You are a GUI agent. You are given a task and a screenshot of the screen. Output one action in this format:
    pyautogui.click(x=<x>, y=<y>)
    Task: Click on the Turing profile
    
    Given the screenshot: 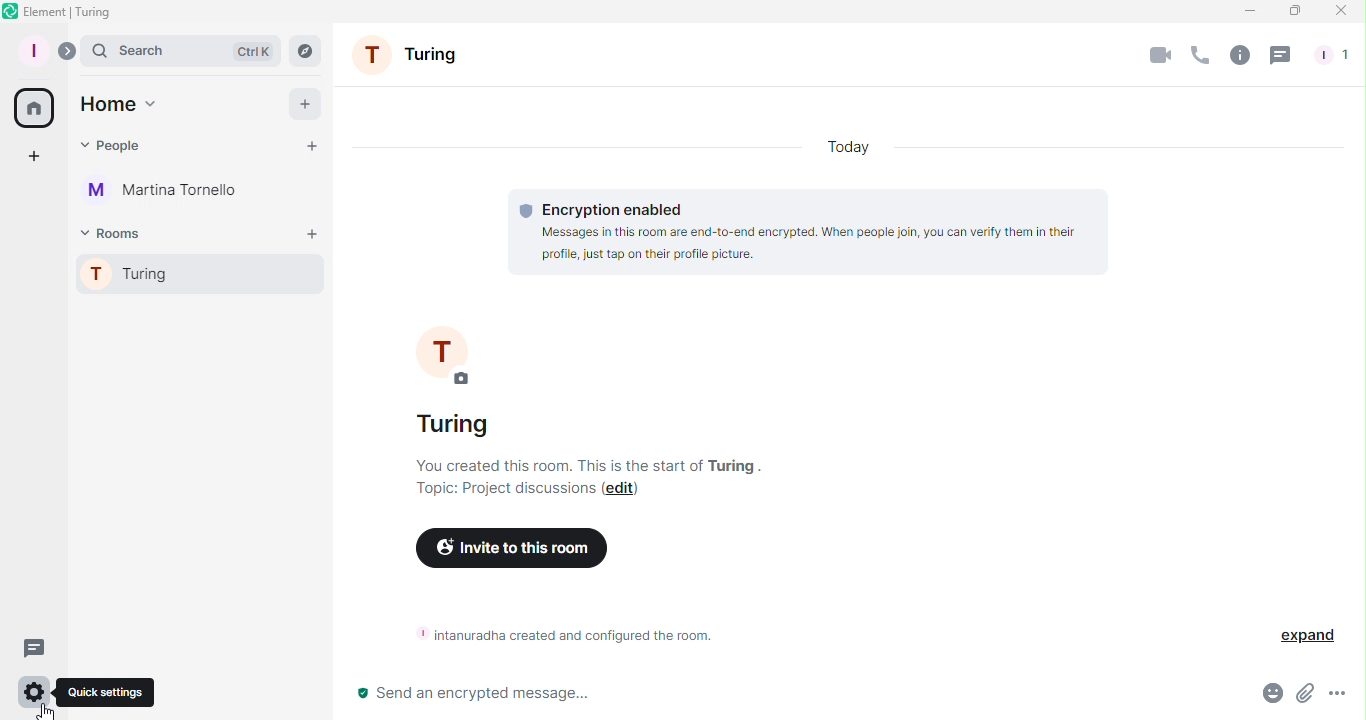 What is the action you would take?
    pyautogui.click(x=454, y=352)
    